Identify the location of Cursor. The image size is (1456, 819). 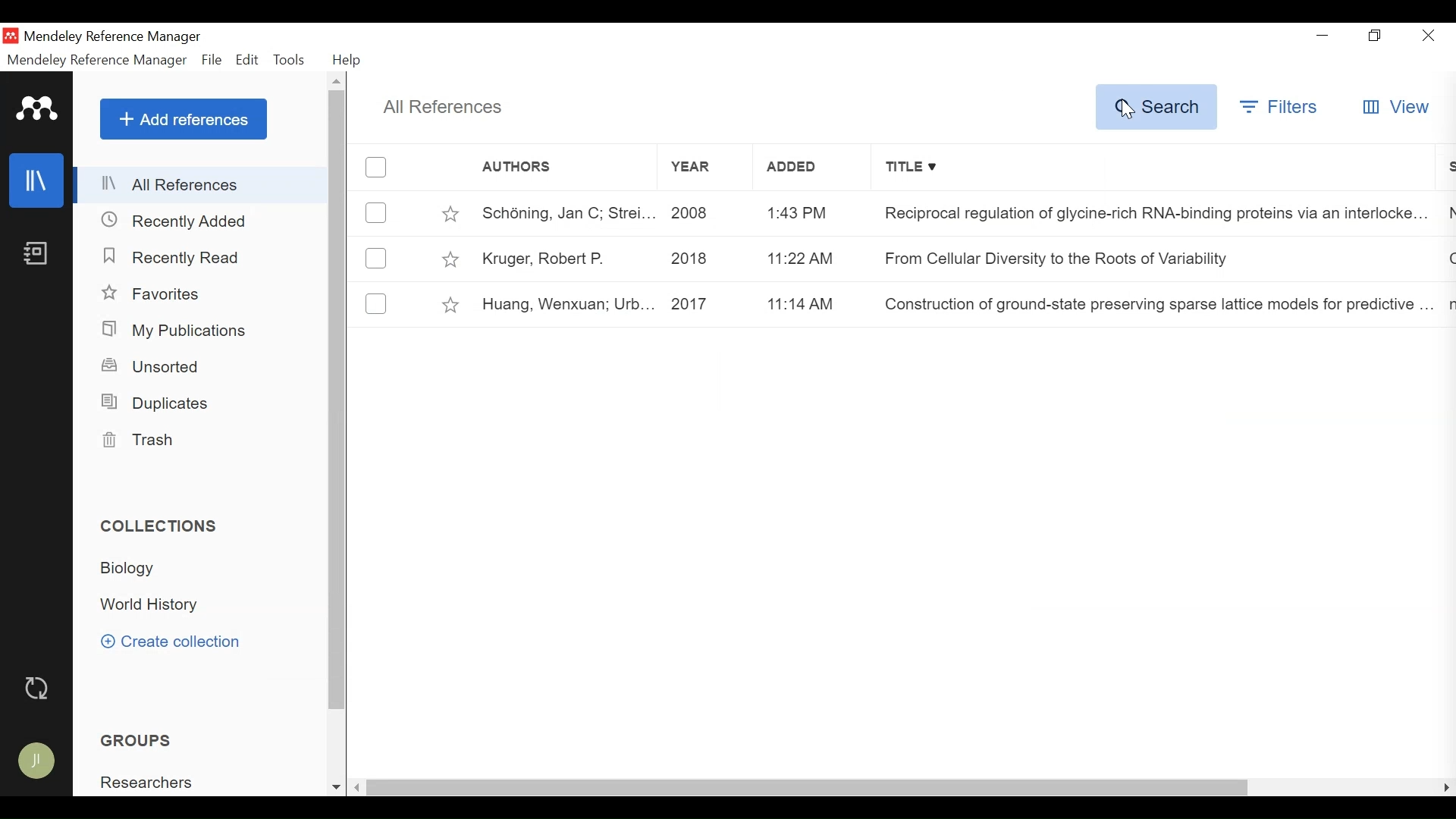
(1128, 111).